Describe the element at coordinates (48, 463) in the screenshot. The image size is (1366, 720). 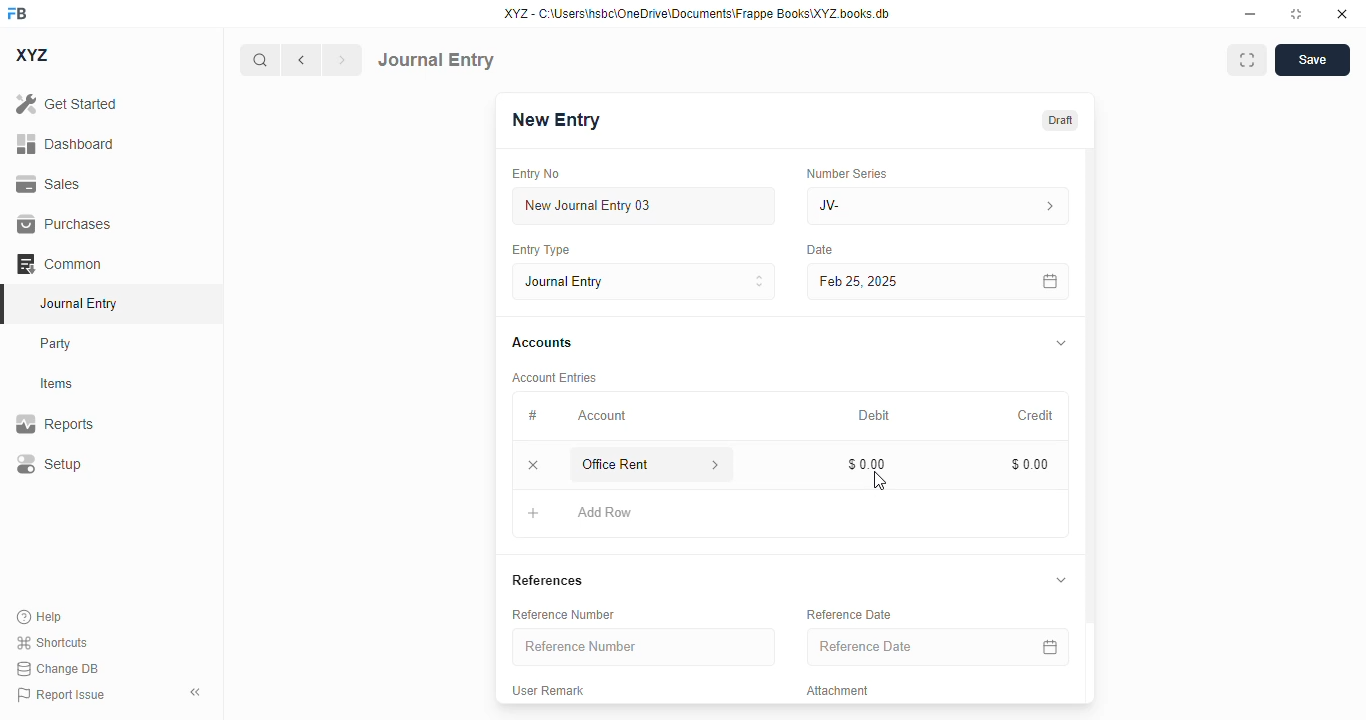
I see `setup` at that location.